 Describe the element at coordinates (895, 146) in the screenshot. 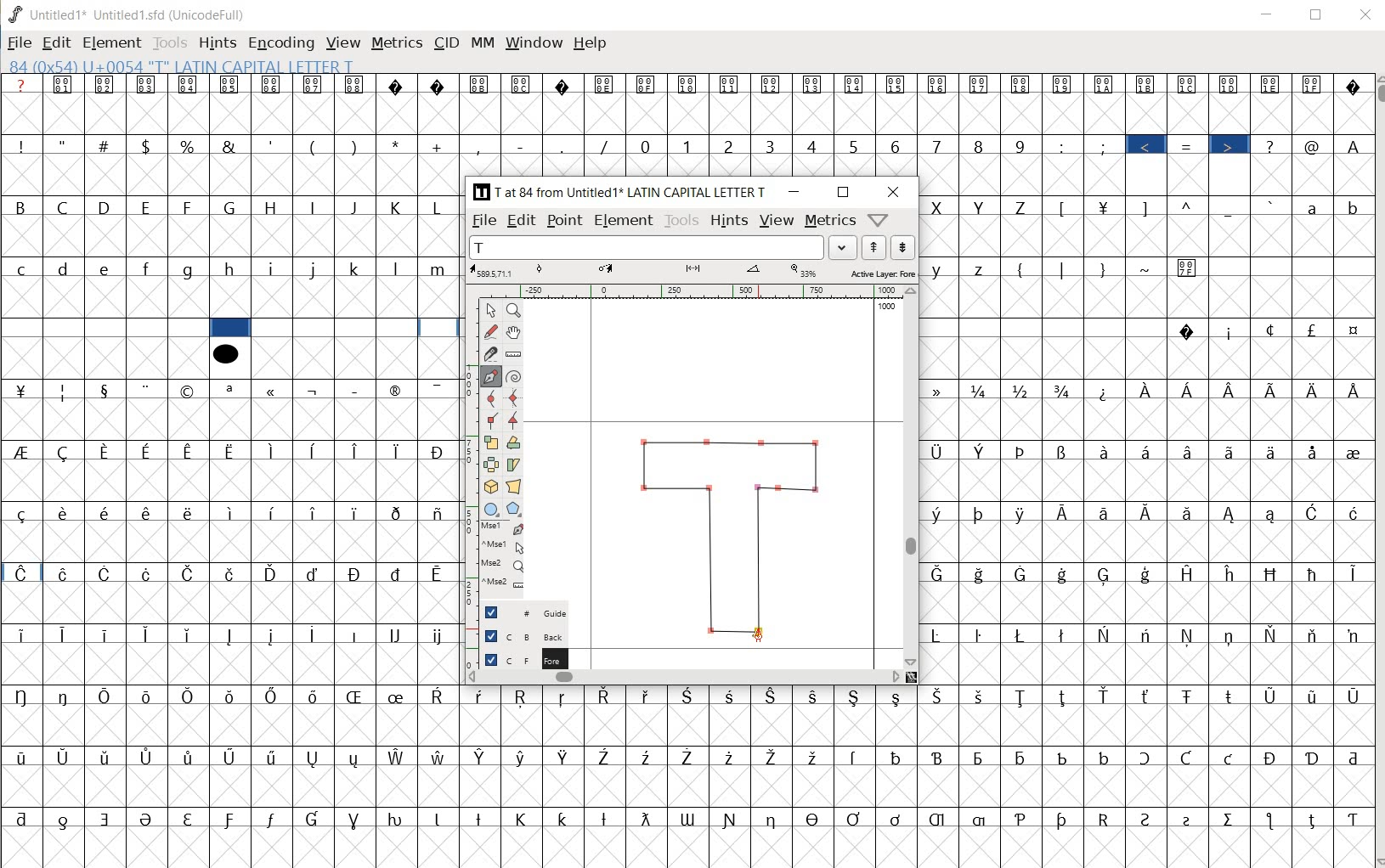

I see `6` at that location.